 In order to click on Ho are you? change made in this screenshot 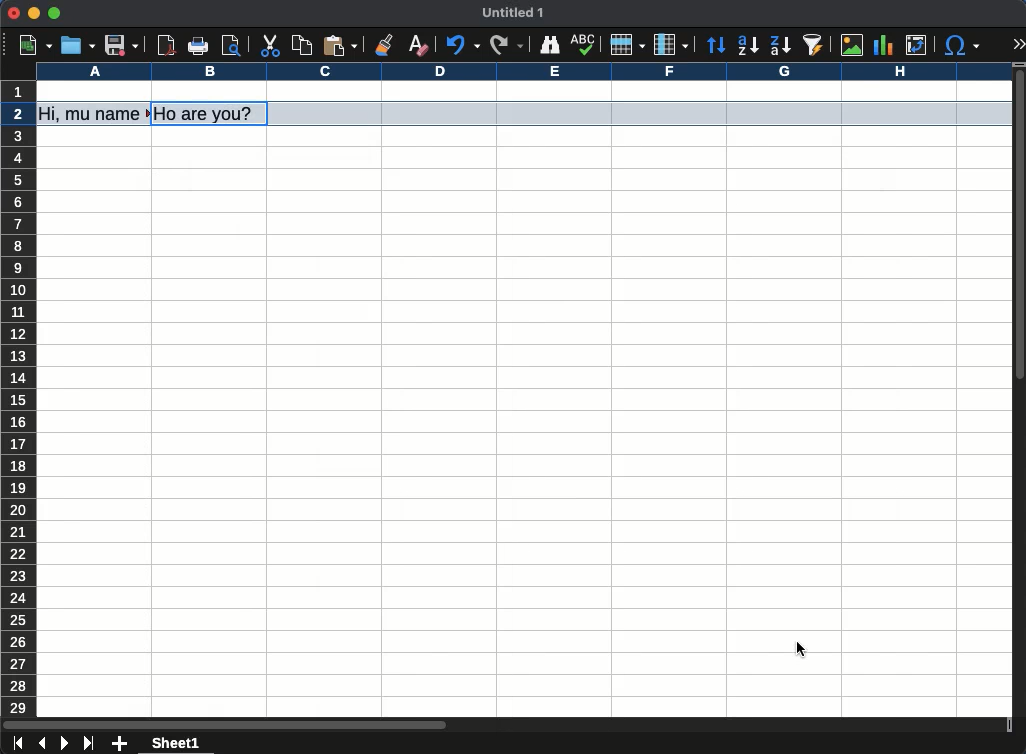, I will do `click(212, 114)`.